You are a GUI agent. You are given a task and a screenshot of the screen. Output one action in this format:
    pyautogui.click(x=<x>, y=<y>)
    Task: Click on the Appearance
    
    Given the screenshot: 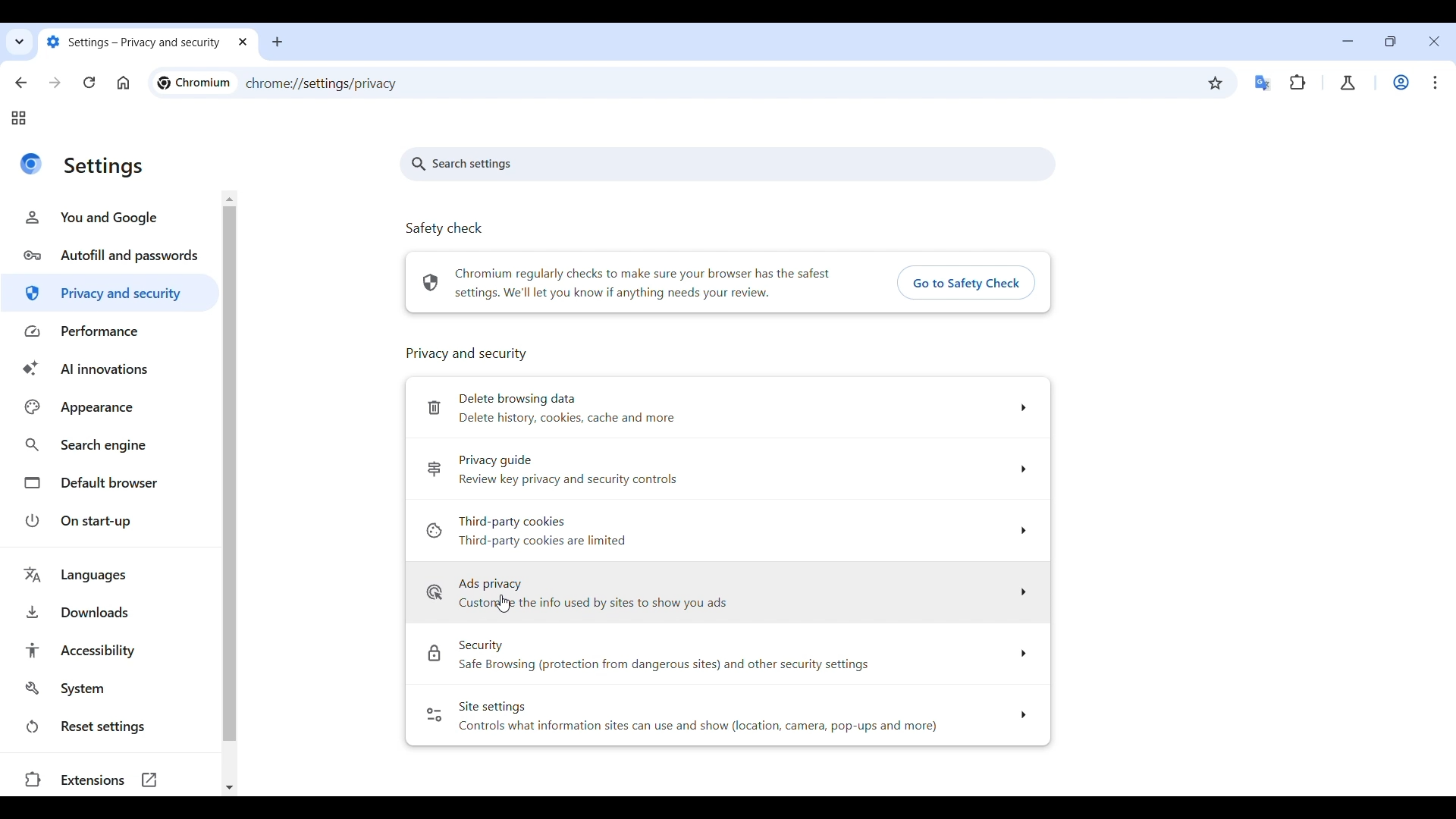 What is the action you would take?
    pyautogui.click(x=108, y=407)
    